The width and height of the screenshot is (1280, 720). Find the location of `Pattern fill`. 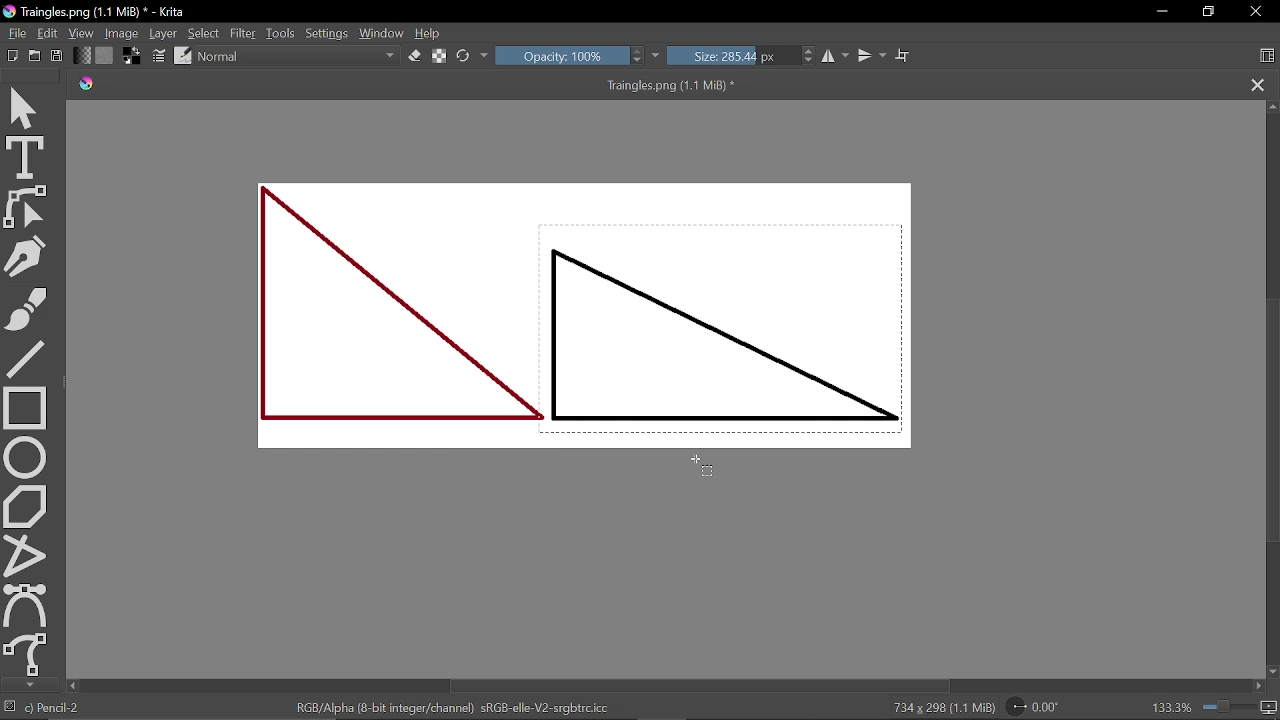

Pattern fill is located at coordinates (106, 56).